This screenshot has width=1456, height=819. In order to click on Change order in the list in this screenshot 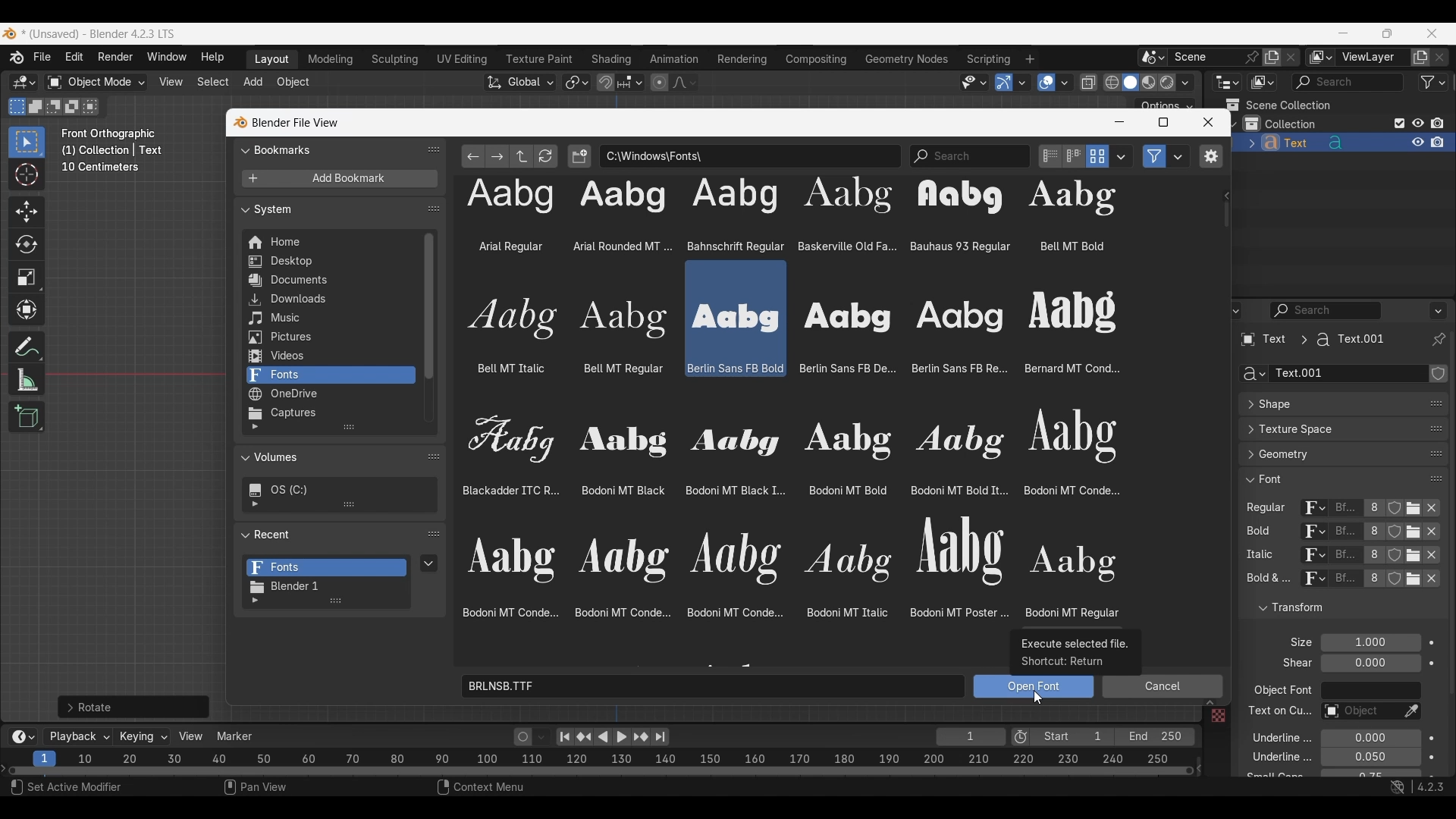, I will do `click(1437, 601)`.